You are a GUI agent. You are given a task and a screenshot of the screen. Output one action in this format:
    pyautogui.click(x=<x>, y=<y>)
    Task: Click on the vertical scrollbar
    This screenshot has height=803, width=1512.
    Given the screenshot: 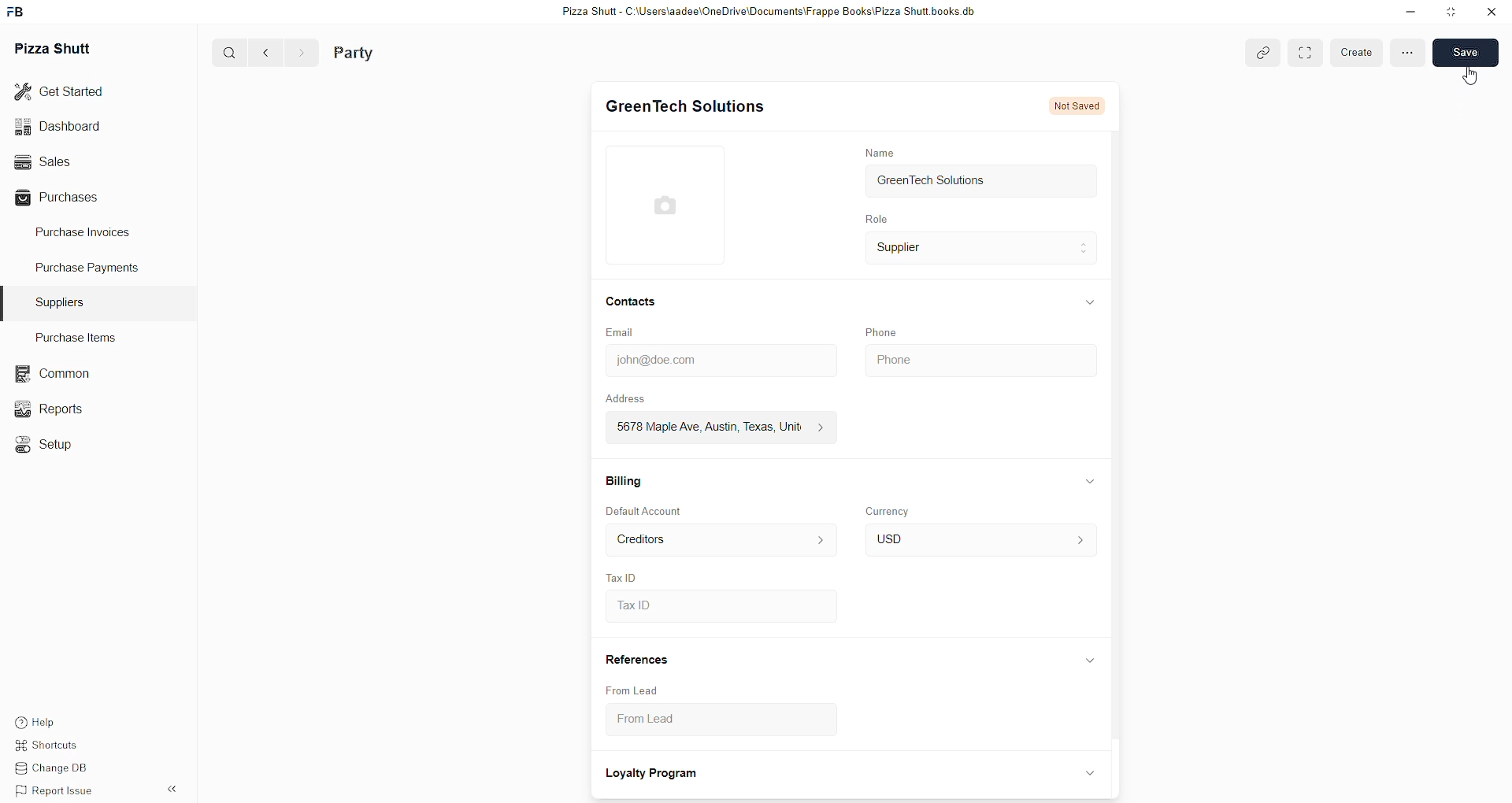 What is the action you would take?
    pyautogui.click(x=1121, y=439)
    